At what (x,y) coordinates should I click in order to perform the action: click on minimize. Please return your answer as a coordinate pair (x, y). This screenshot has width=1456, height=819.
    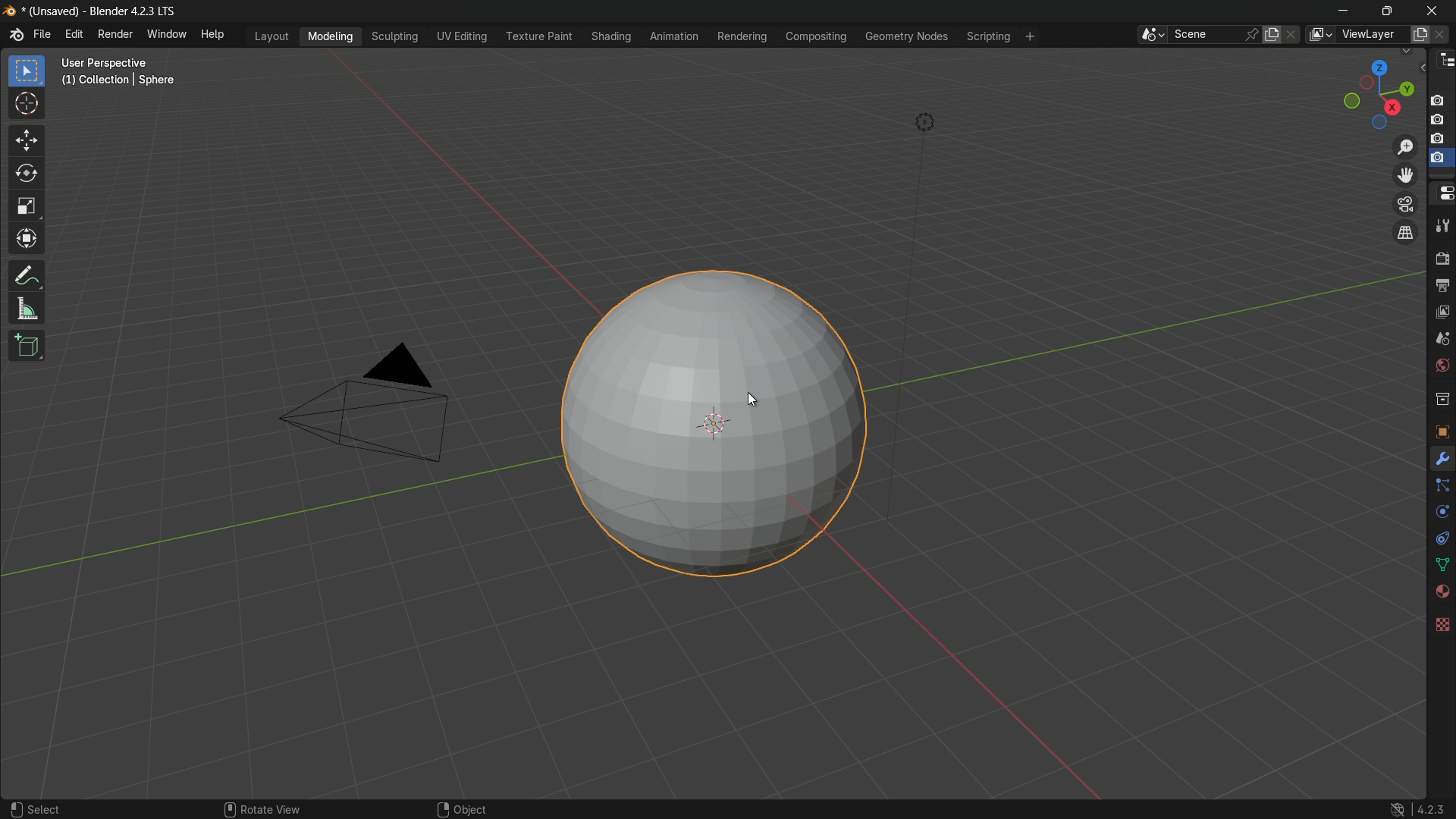
    Looking at the image, I should click on (1340, 11).